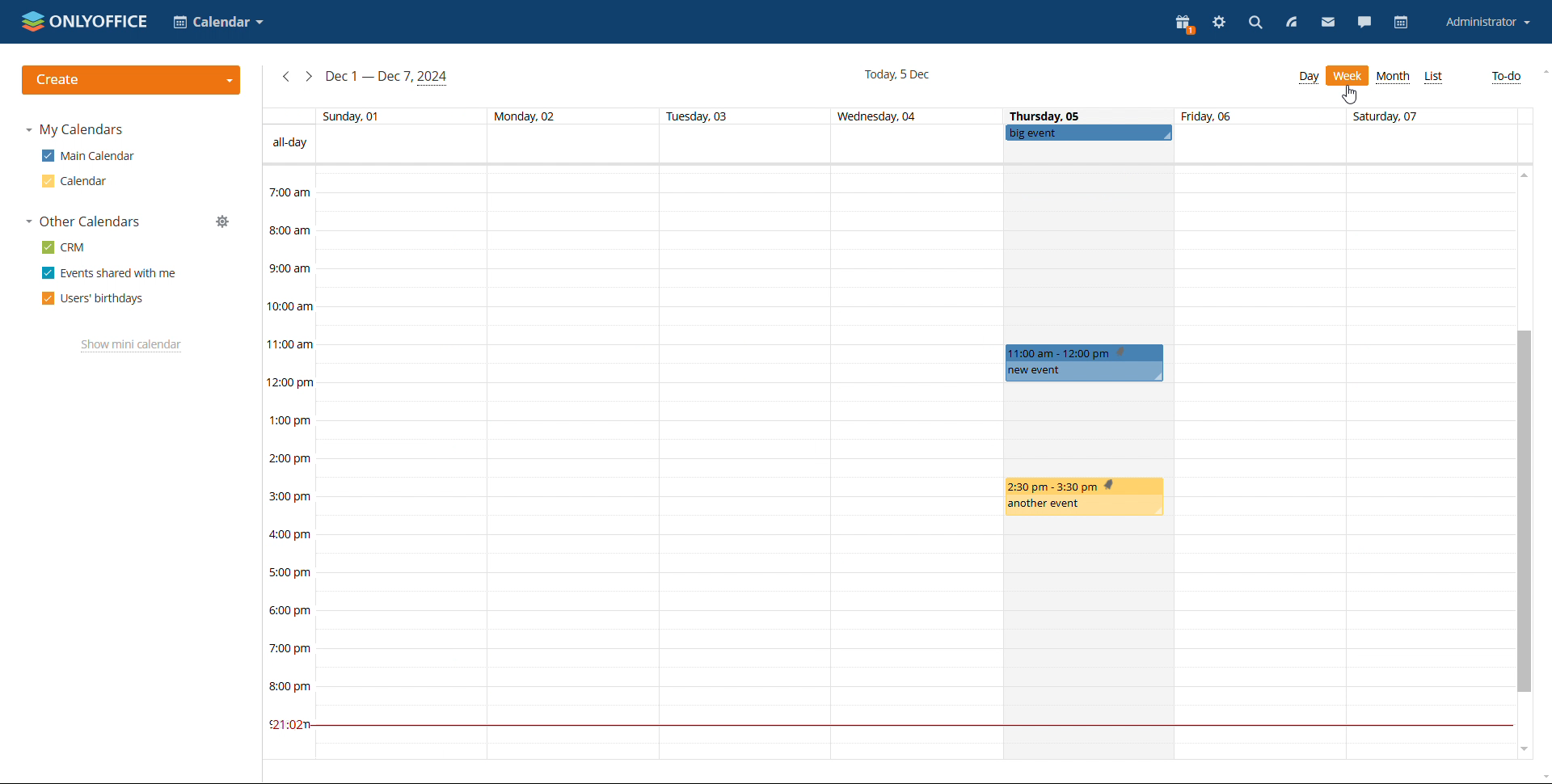  Describe the element at coordinates (1327, 22) in the screenshot. I see `mail` at that location.